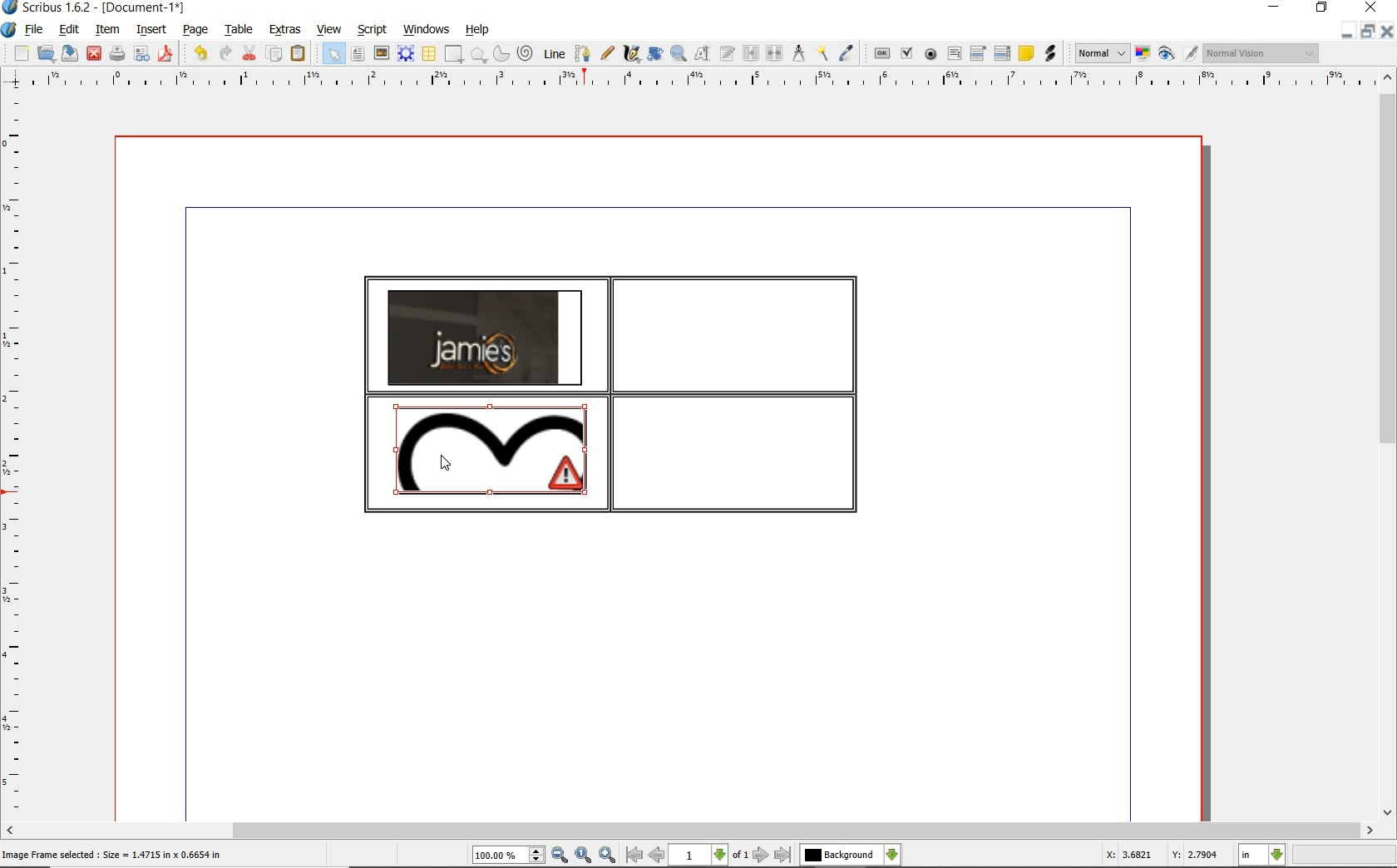 This screenshot has width=1397, height=868. I want to click on edit in preview mode, so click(1190, 54).